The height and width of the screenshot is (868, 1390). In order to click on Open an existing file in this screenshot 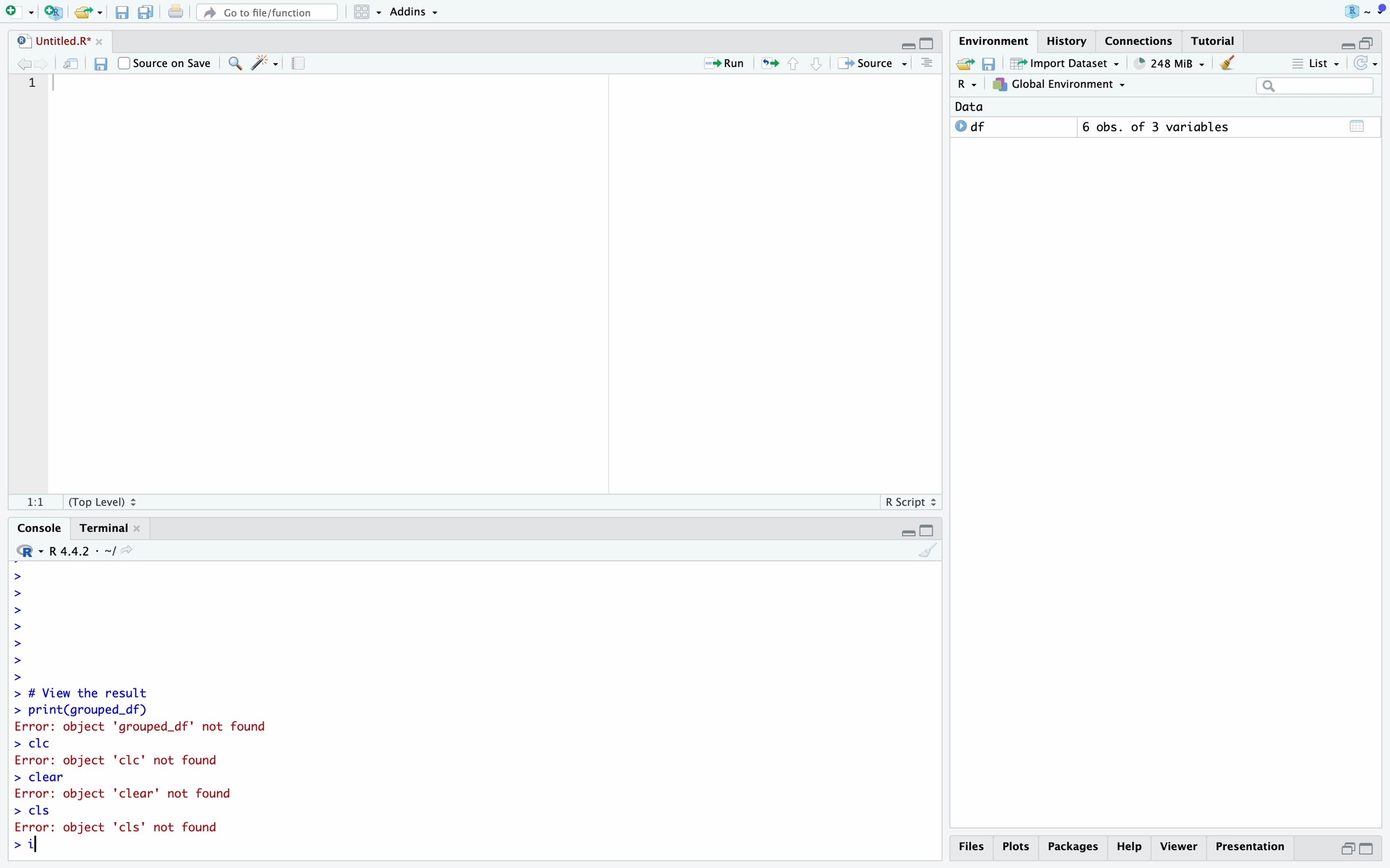, I will do `click(88, 11)`.